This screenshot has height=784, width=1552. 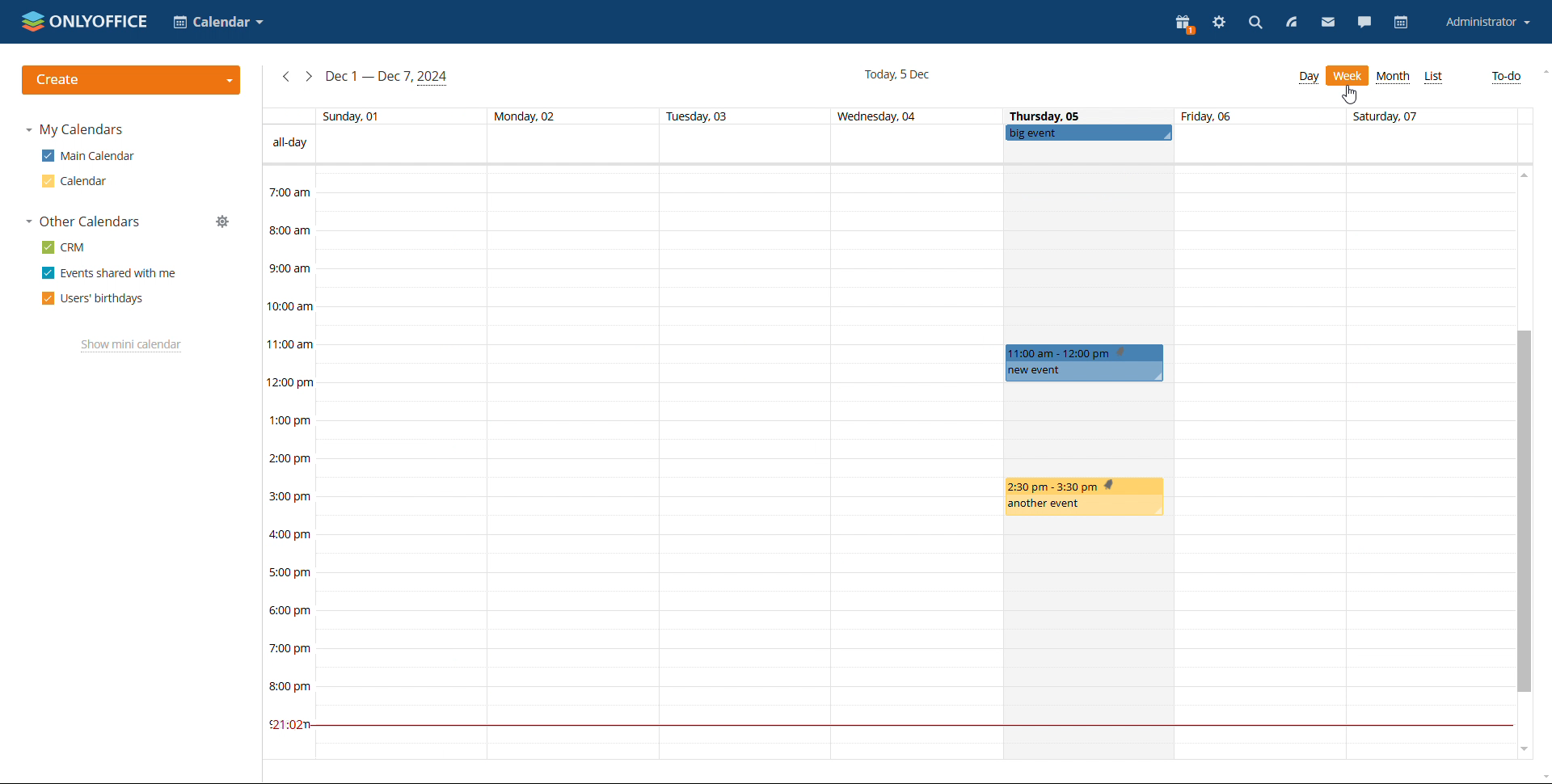 What do you see at coordinates (1289, 22) in the screenshot?
I see `feed` at bounding box center [1289, 22].